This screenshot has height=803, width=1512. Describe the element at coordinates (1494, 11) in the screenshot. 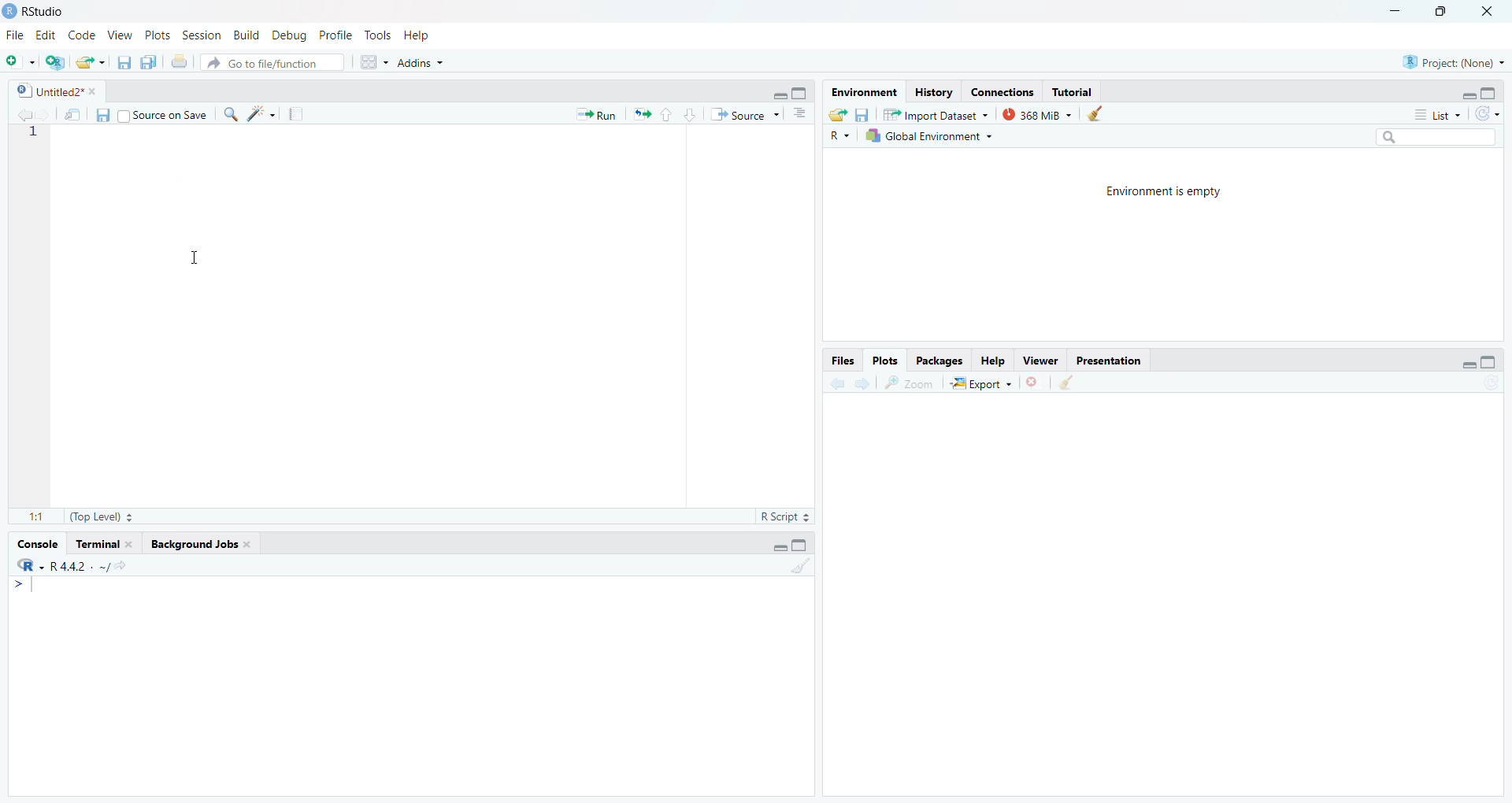

I see `close` at that location.